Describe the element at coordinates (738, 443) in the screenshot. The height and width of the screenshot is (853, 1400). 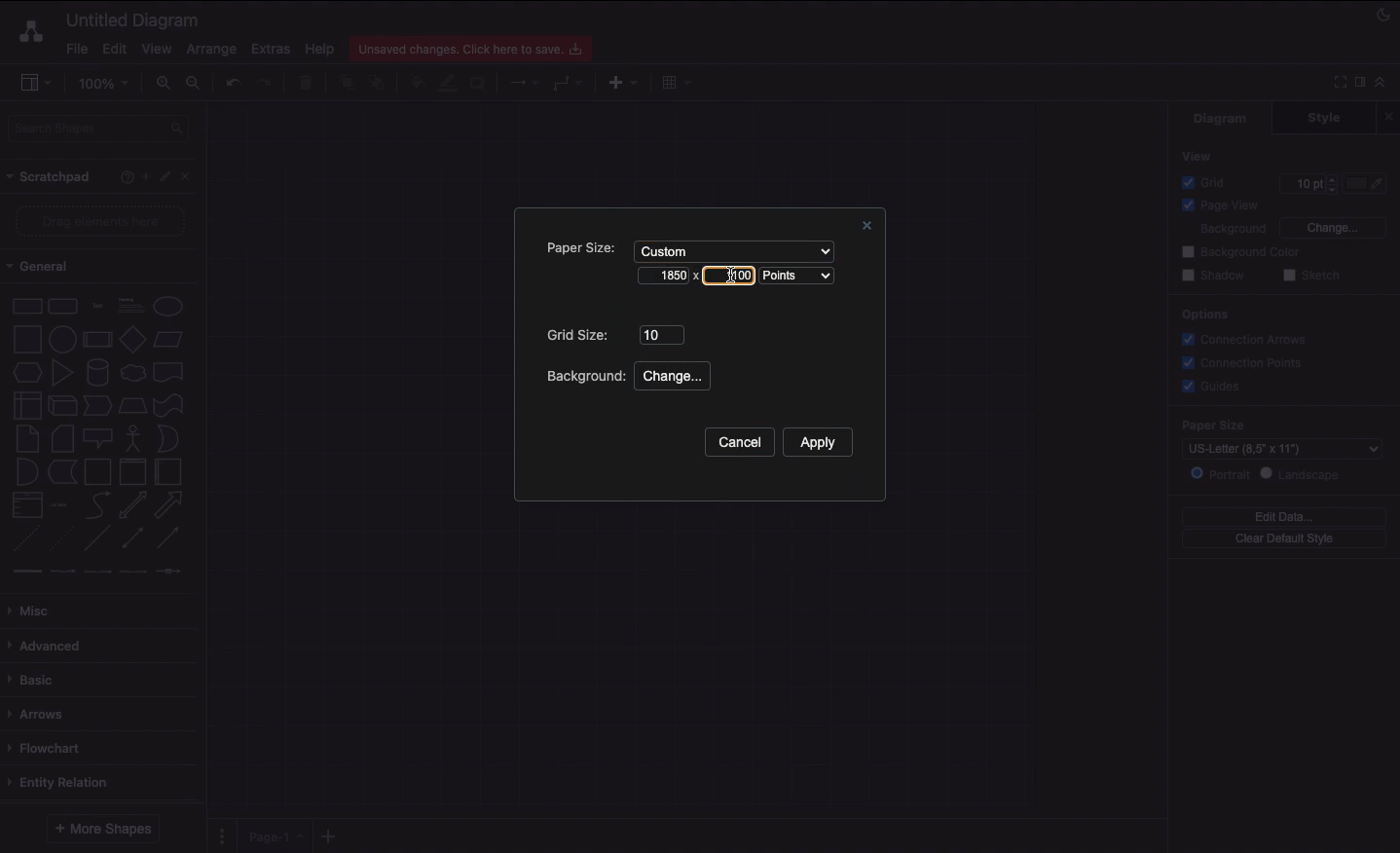
I see `Cancel` at that location.